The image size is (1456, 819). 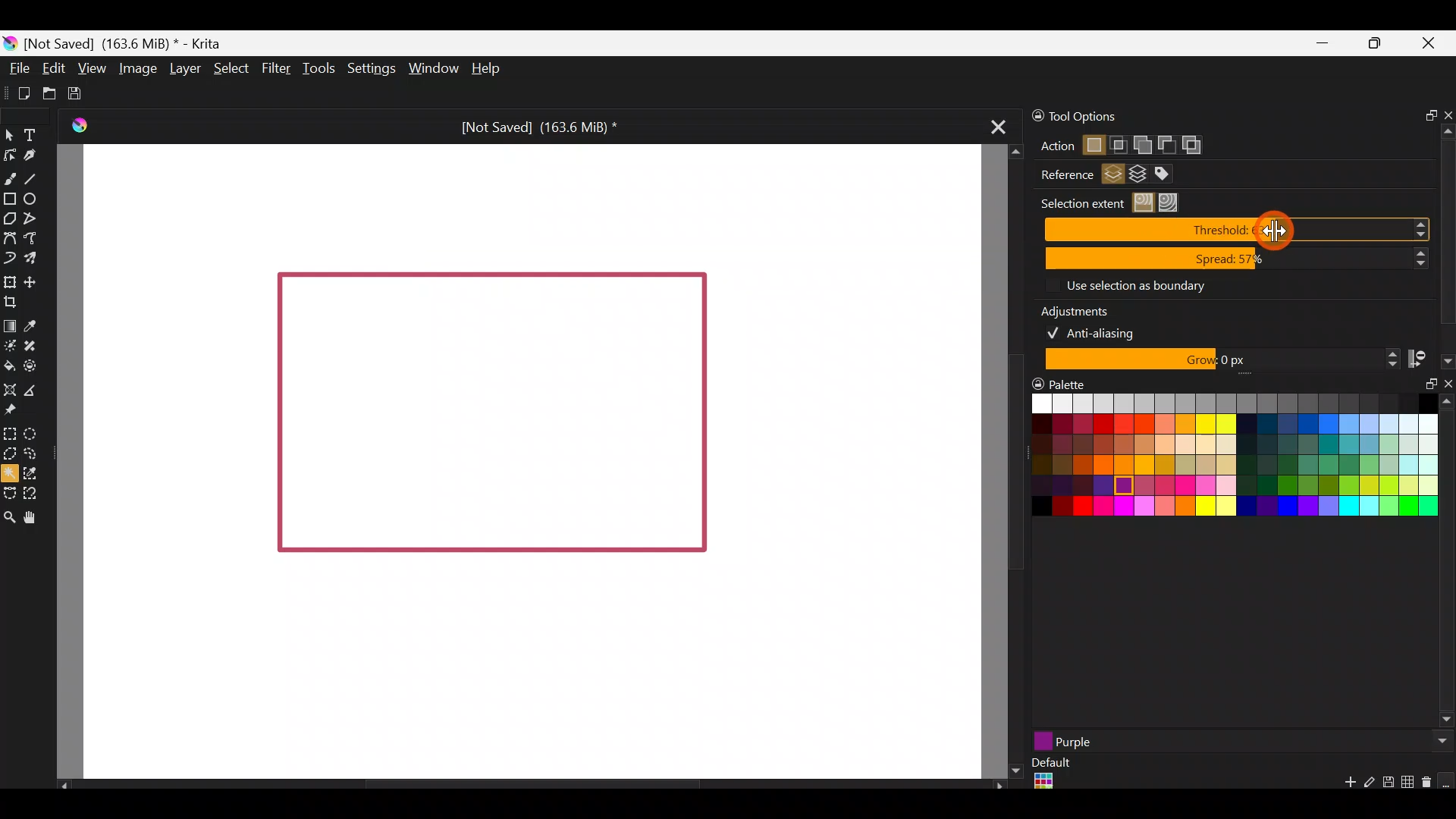 I want to click on Spread, so click(x=1237, y=259).